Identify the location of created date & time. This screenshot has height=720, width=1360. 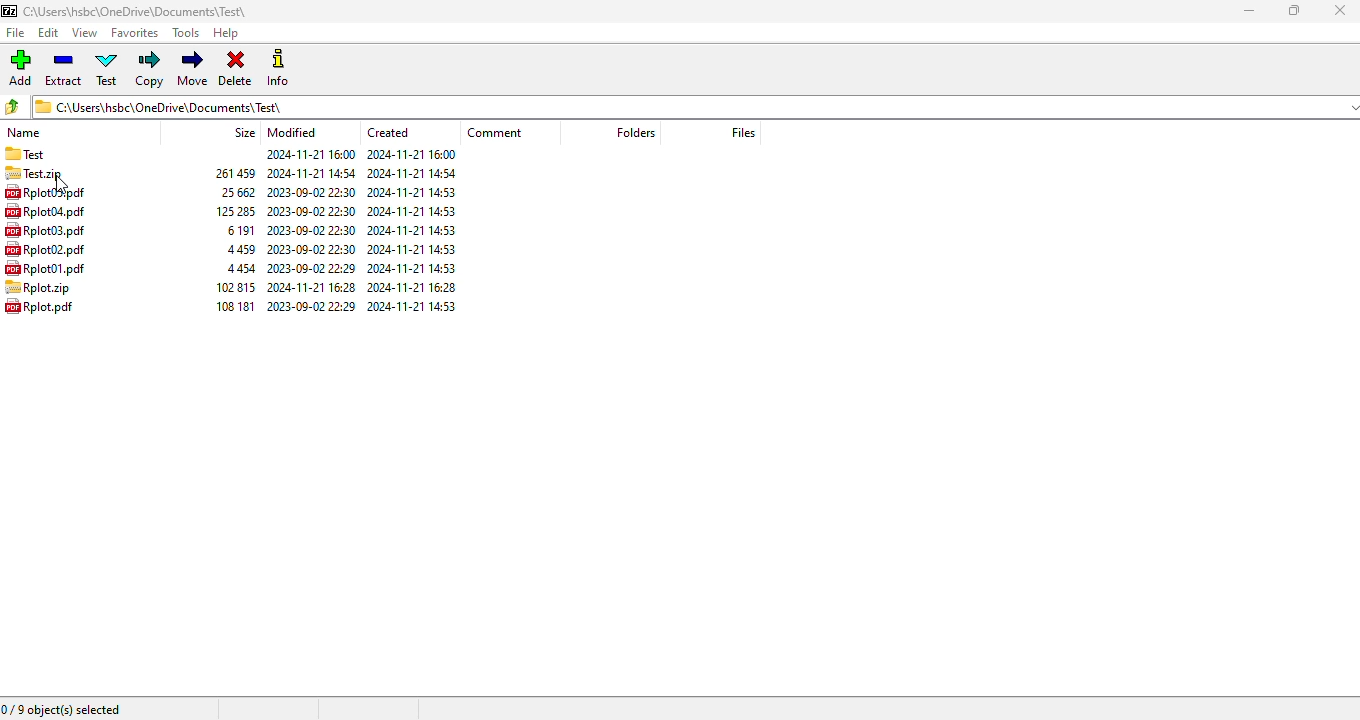
(411, 305).